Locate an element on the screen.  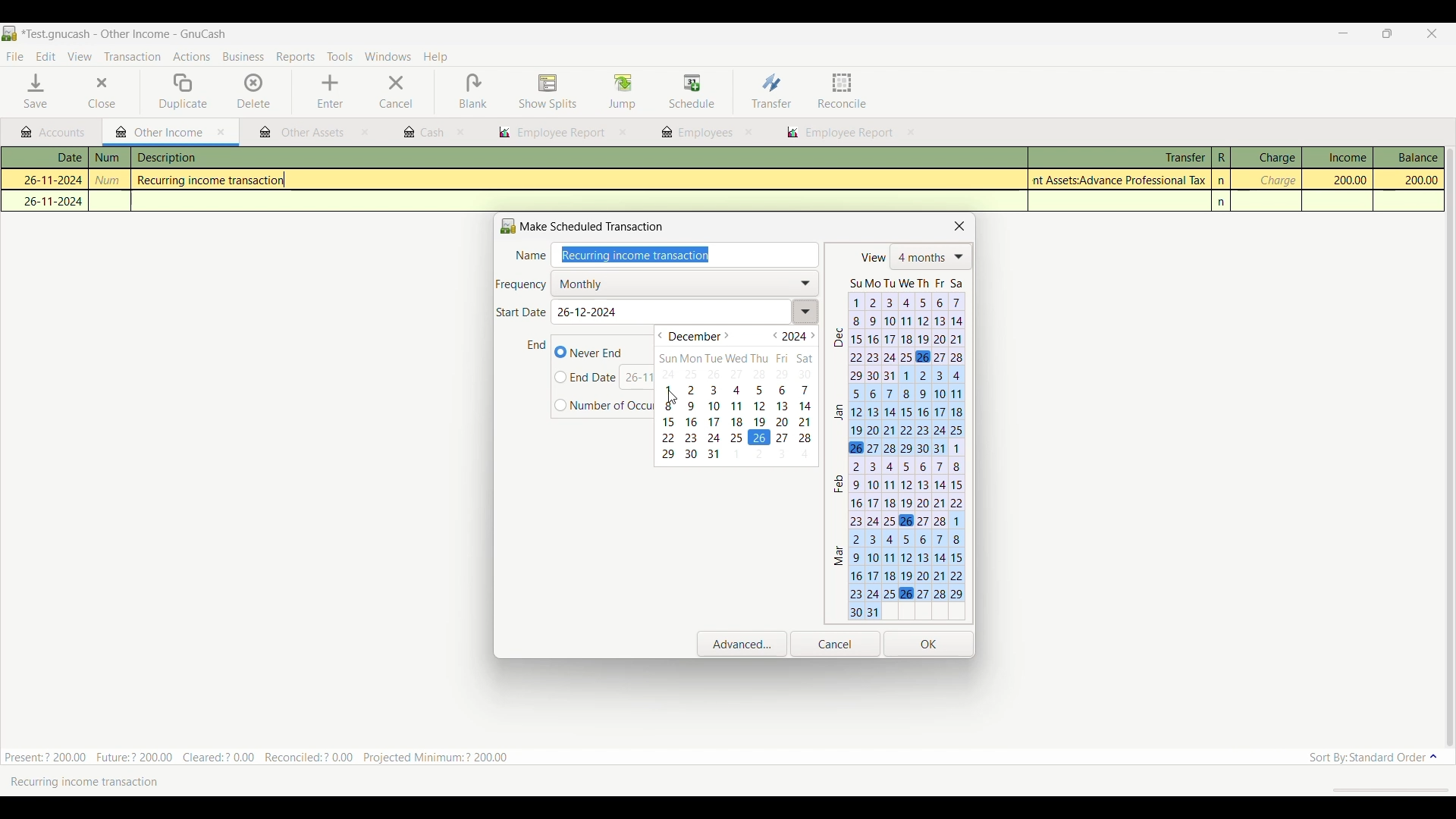
Recurring income transaction is located at coordinates (217, 180).